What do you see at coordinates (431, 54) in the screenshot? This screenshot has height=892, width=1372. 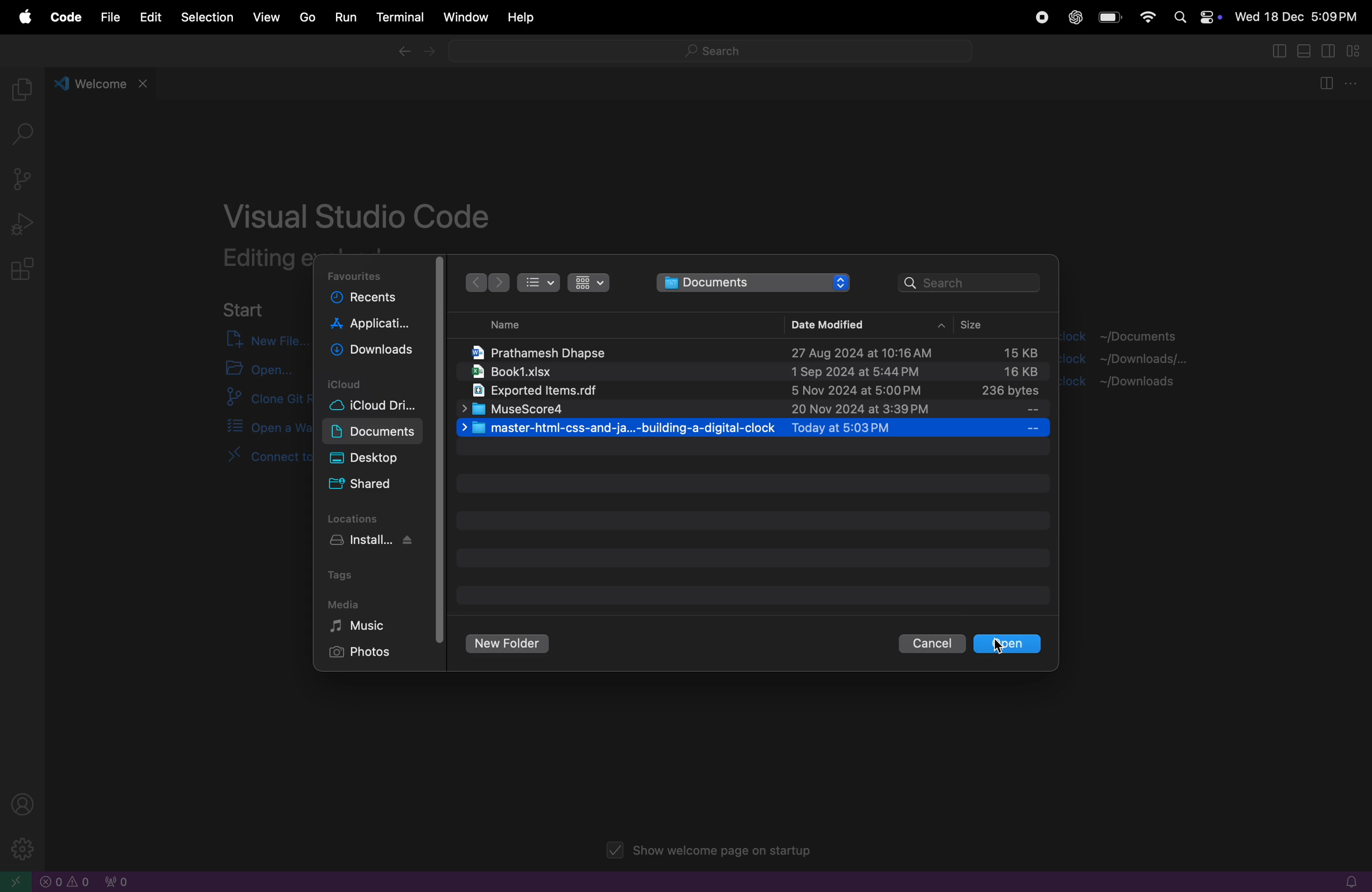 I see `forward` at bounding box center [431, 54].